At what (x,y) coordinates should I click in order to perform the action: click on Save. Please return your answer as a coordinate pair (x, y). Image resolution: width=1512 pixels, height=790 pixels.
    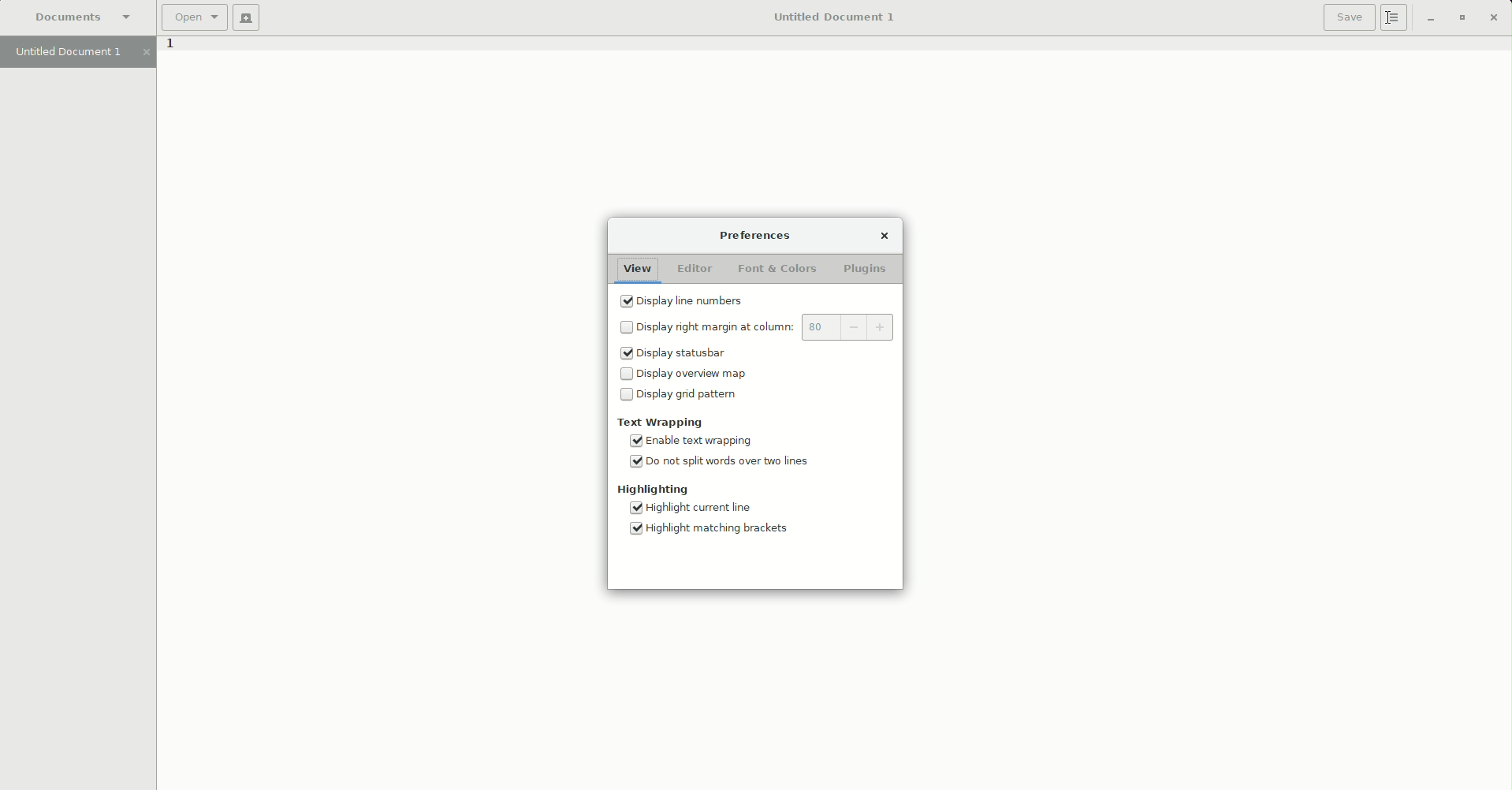
    Looking at the image, I should click on (1349, 17).